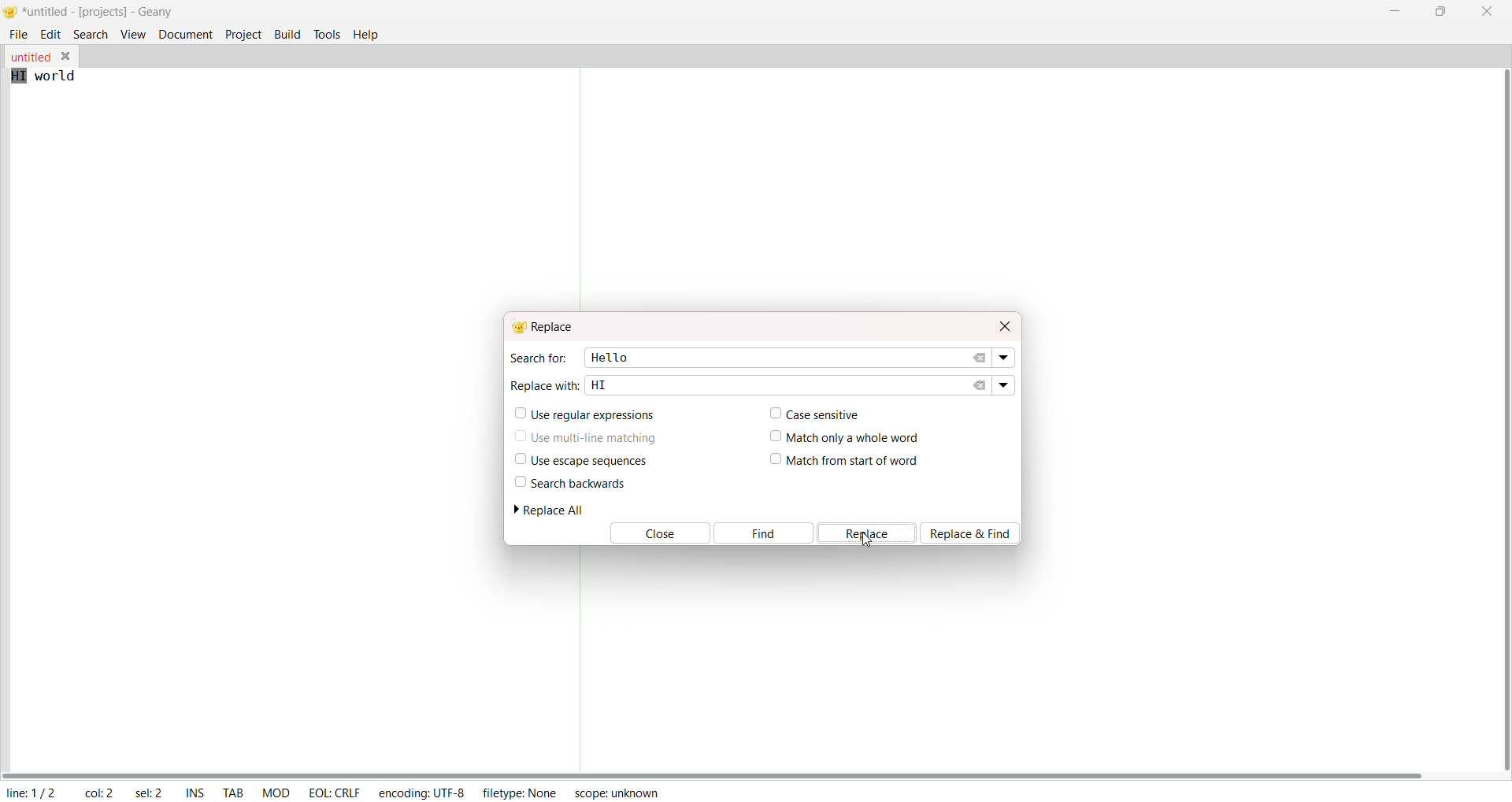 Image resolution: width=1512 pixels, height=802 pixels. What do you see at coordinates (578, 460) in the screenshot?
I see `use escape sequences` at bounding box center [578, 460].